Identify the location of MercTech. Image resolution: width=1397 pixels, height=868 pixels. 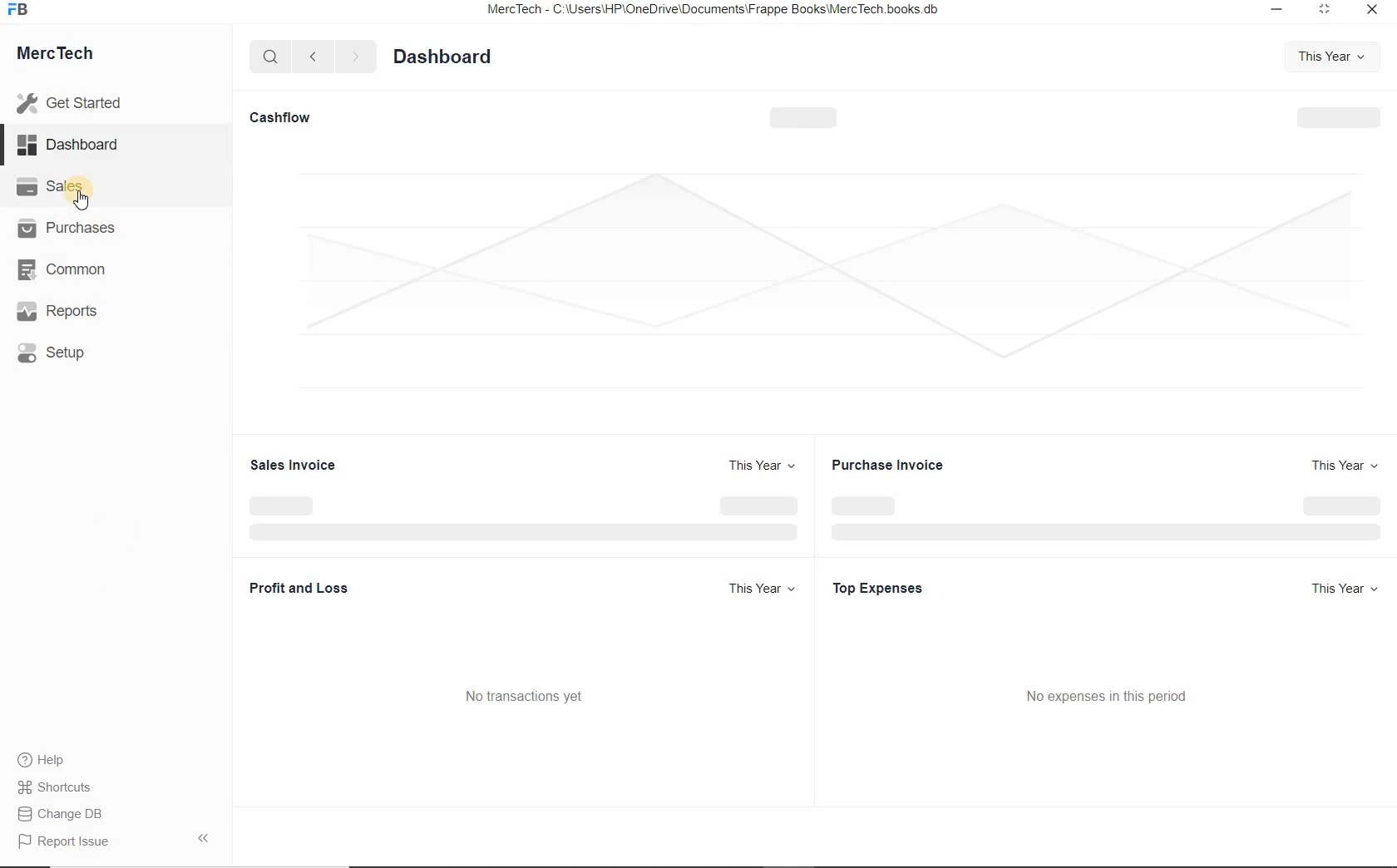
(63, 57).